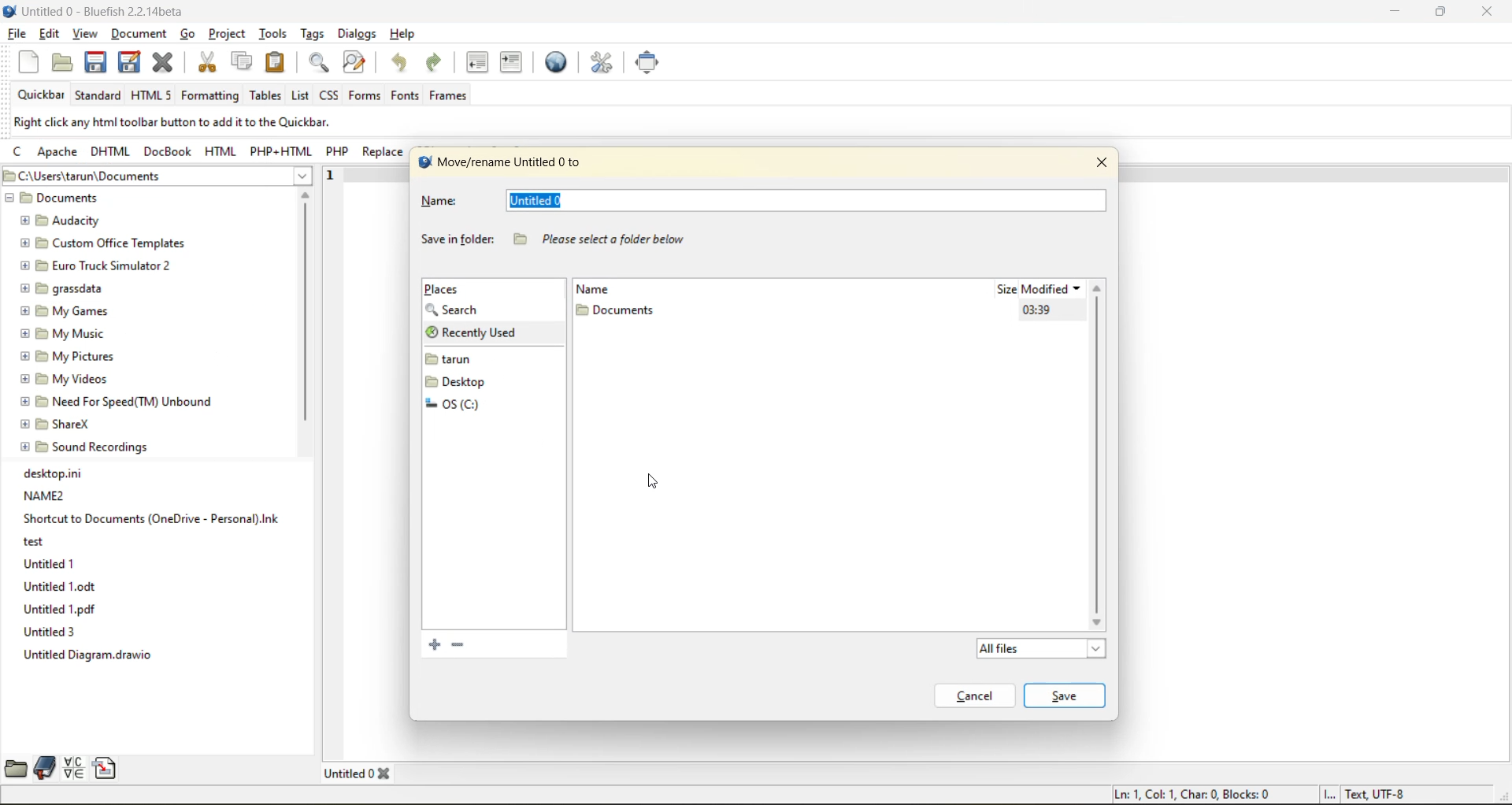 Image resolution: width=1512 pixels, height=805 pixels. Describe the element at coordinates (355, 63) in the screenshot. I see `find and replace` at that location.